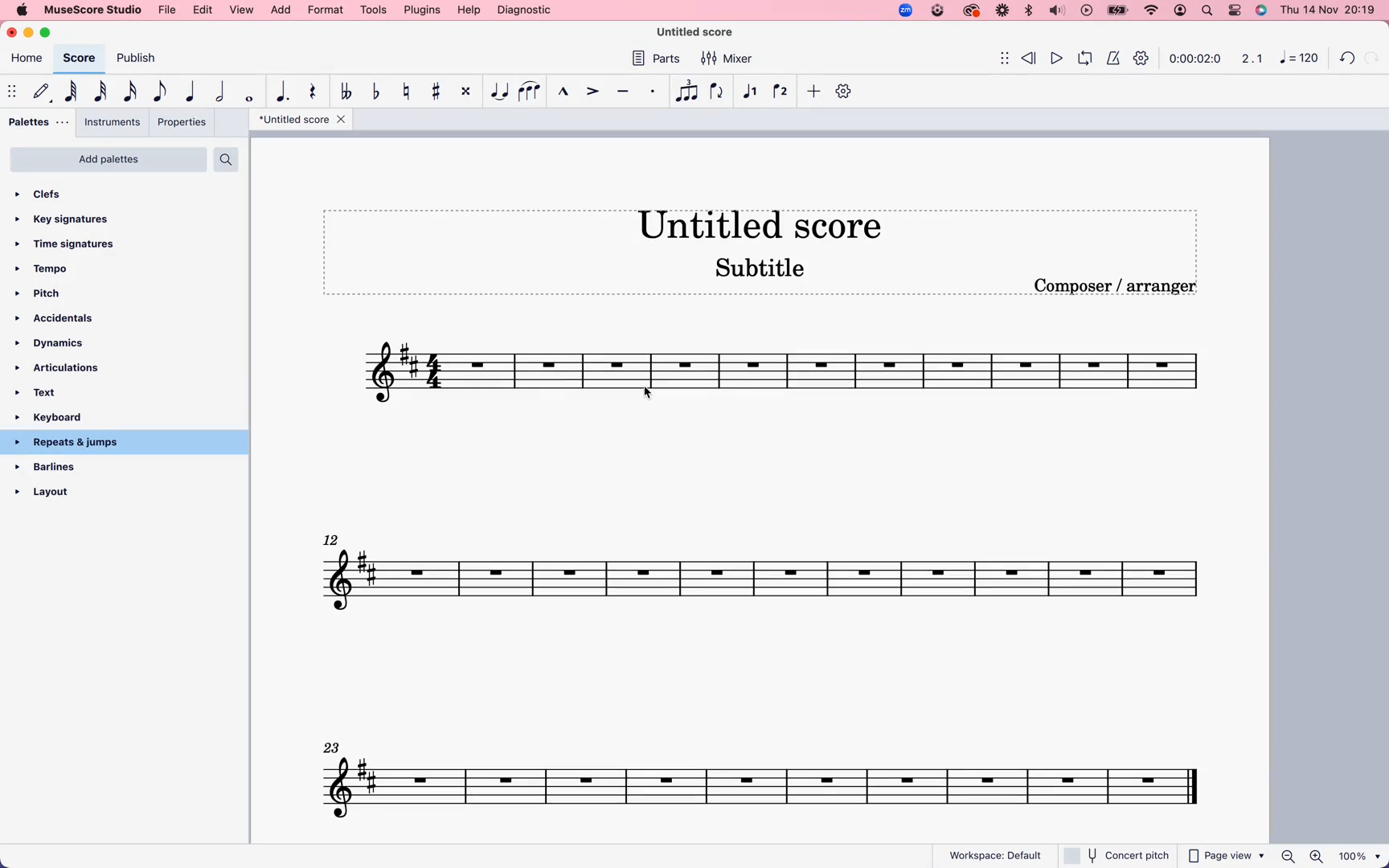 Image resolution: width=1389 pixels, height=868 pixels. I want to click on help, so click(468, 10).